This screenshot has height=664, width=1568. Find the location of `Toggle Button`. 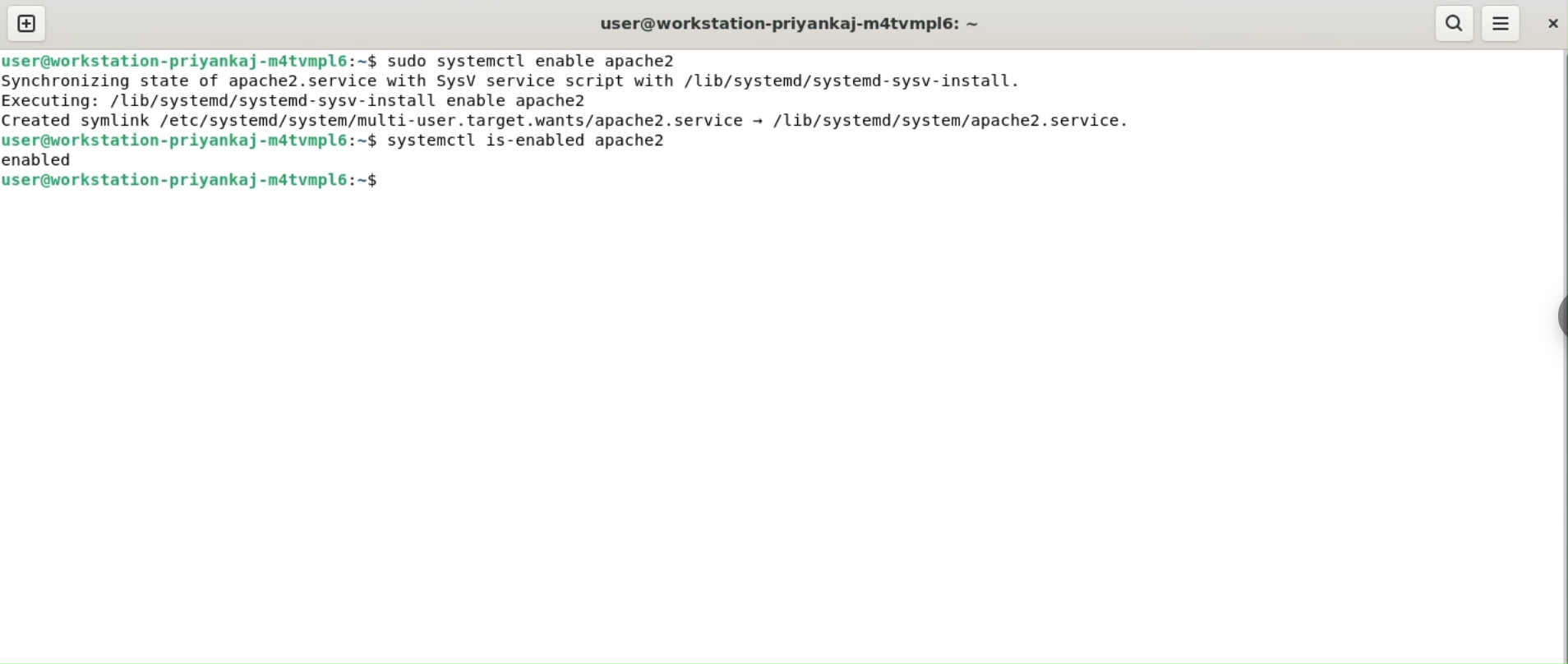

Toggle Button is located at coordinates (1552, 324).